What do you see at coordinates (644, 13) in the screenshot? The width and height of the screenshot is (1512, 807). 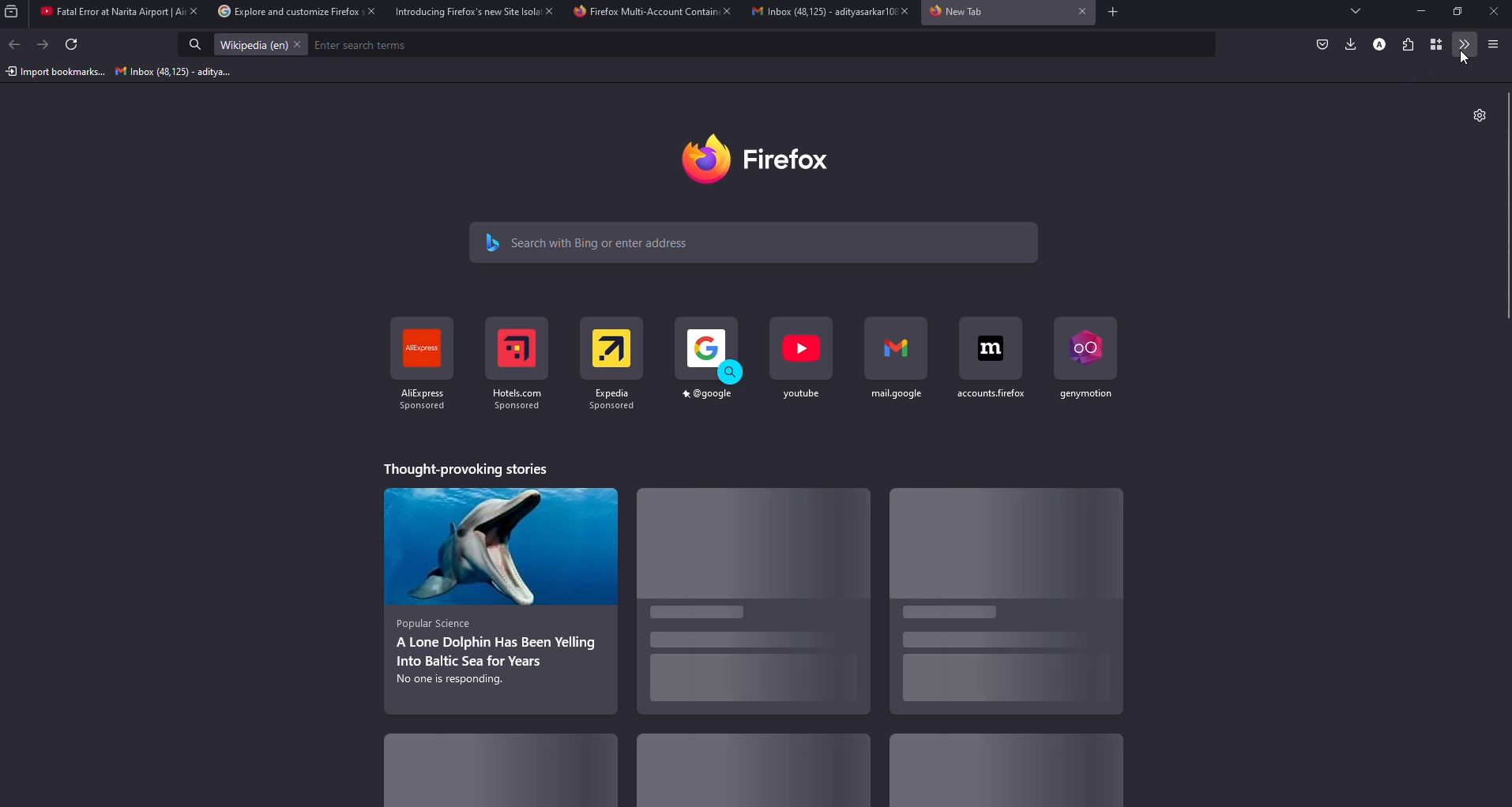 I see `tab` at bounding box center [644, 13].